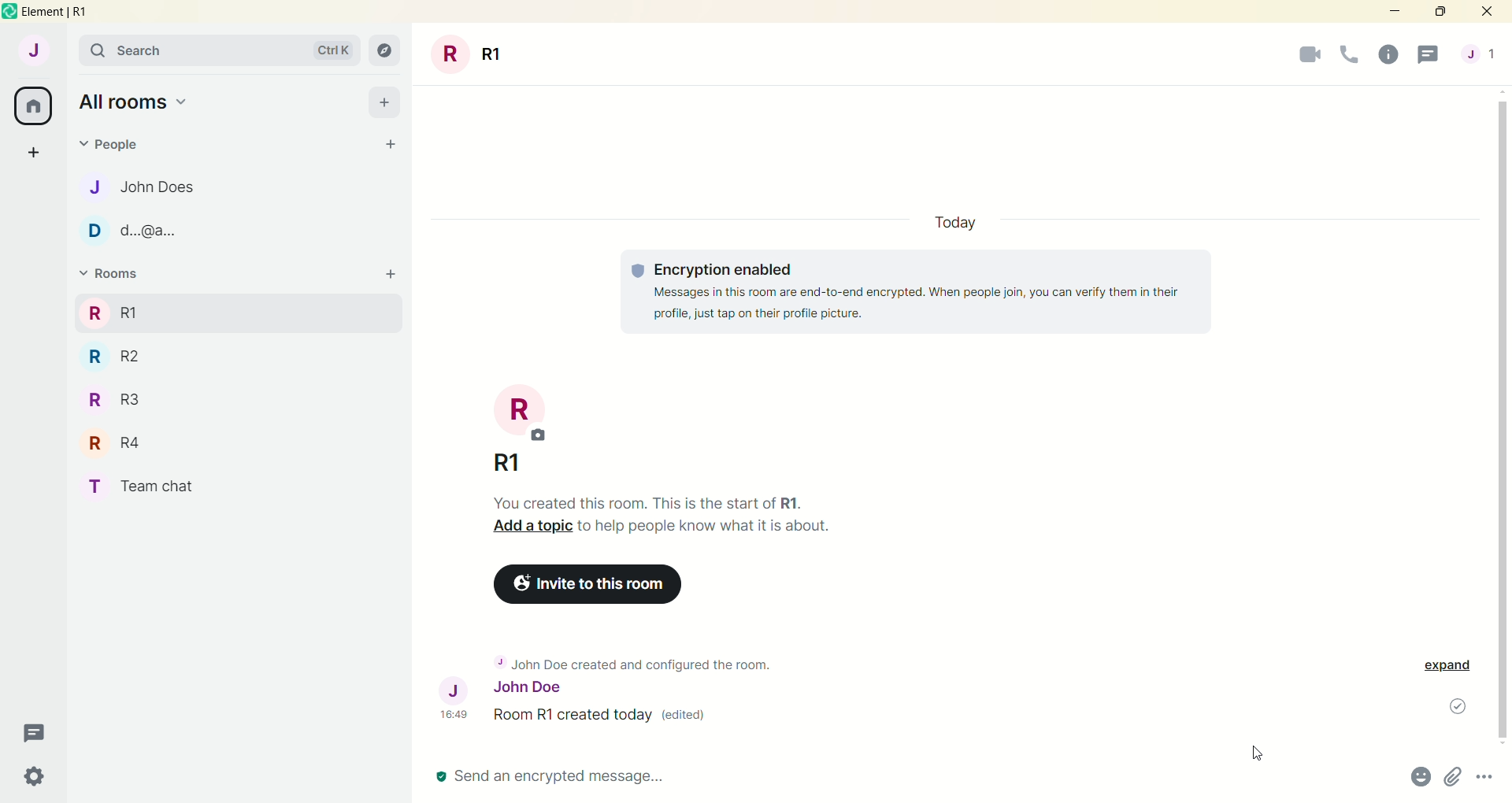 The height and width of the screenshot is (803, 1512). What do you see at coordinates (385, 142) in the screenshot?
I see `start chat` at bounding box center [385, 142].